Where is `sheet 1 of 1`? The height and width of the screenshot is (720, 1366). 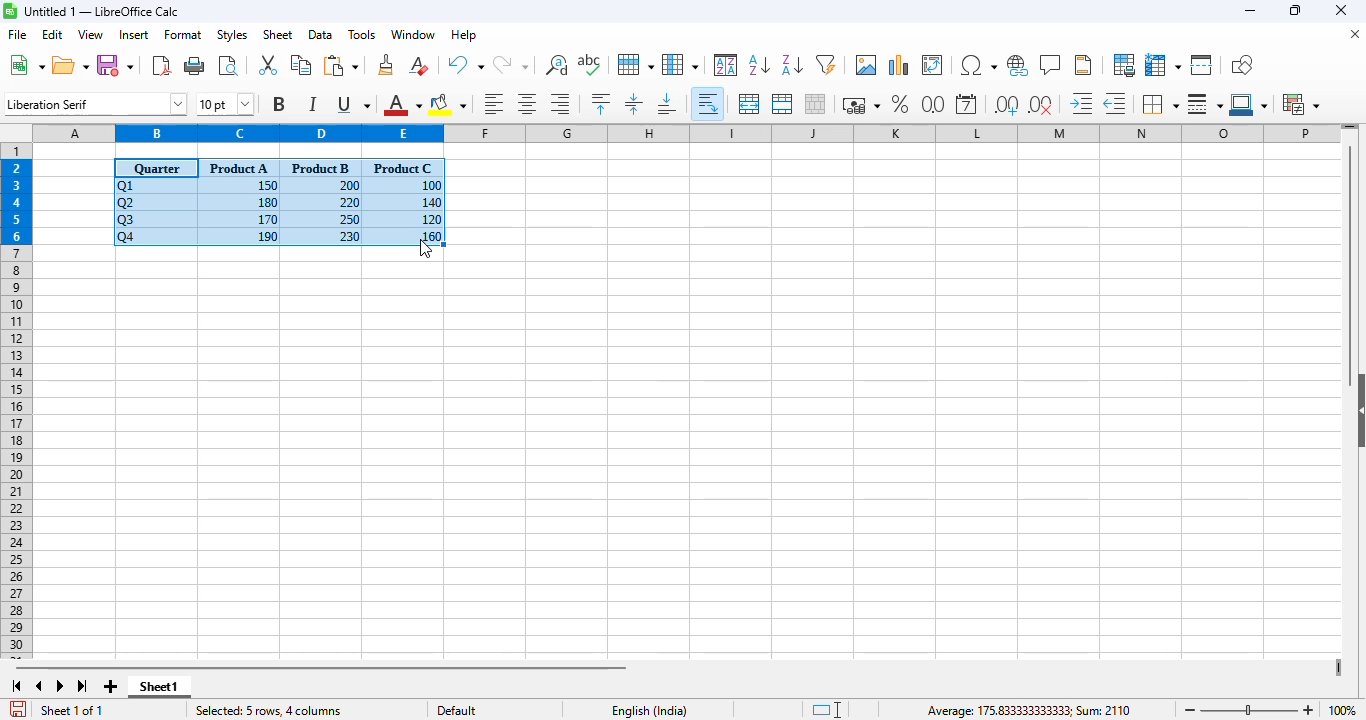
sheet 1 of 1 is located at coordinates (73, 711).